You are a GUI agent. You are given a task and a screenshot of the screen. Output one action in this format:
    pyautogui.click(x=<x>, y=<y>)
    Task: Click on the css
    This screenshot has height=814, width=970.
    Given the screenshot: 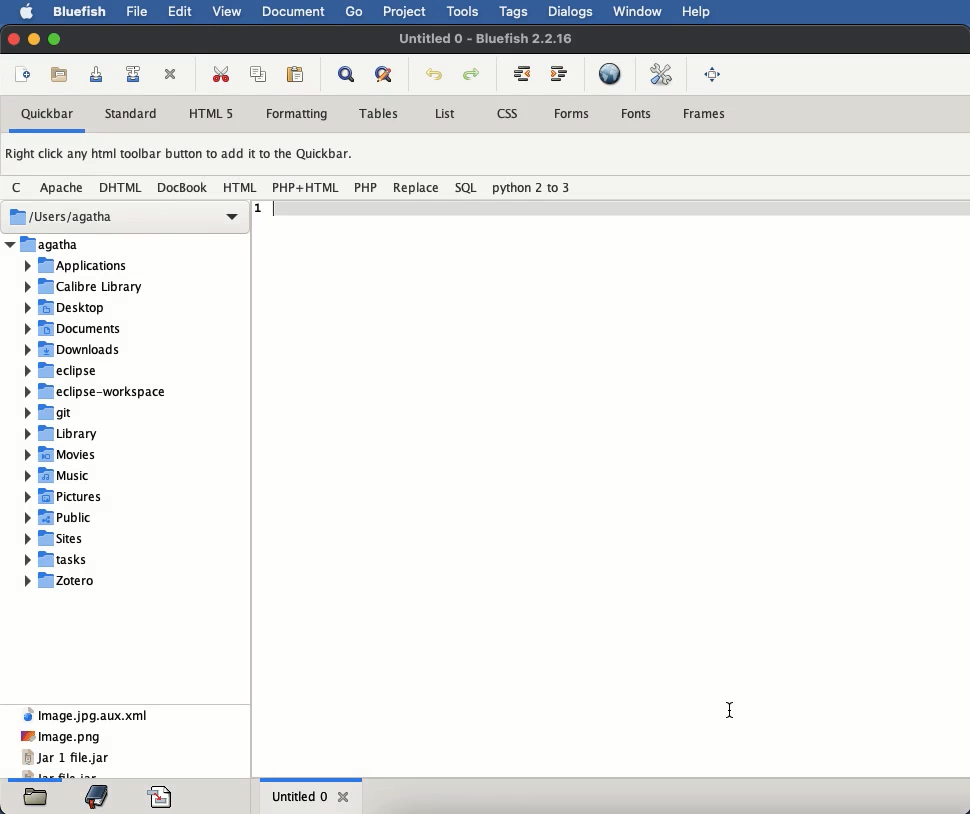 What is the action you would take?
    pyautogui.click(x=509, y=112)
    